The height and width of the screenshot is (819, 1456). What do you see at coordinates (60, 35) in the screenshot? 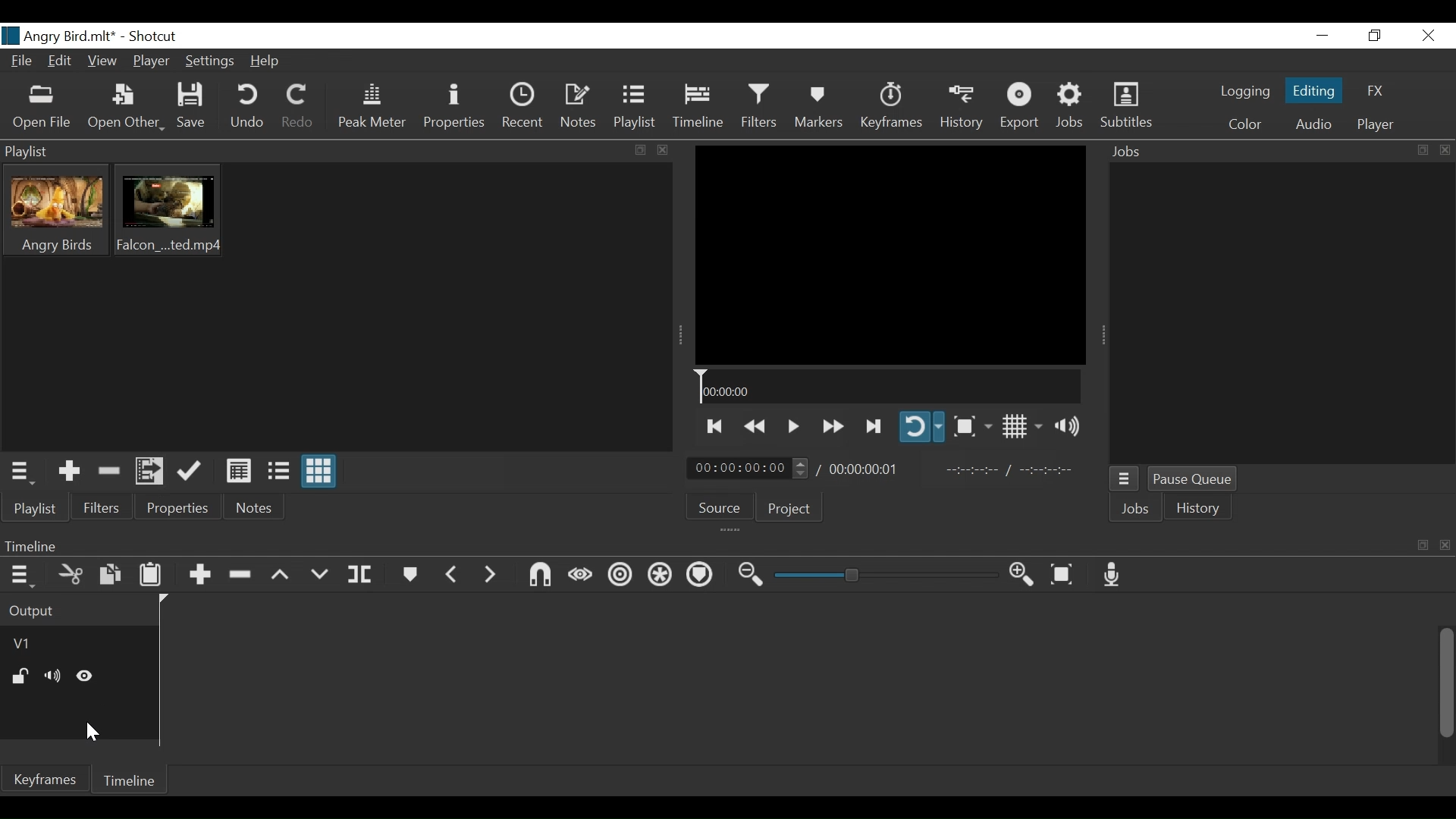
I see `File name` at bounding box center [60, 35].